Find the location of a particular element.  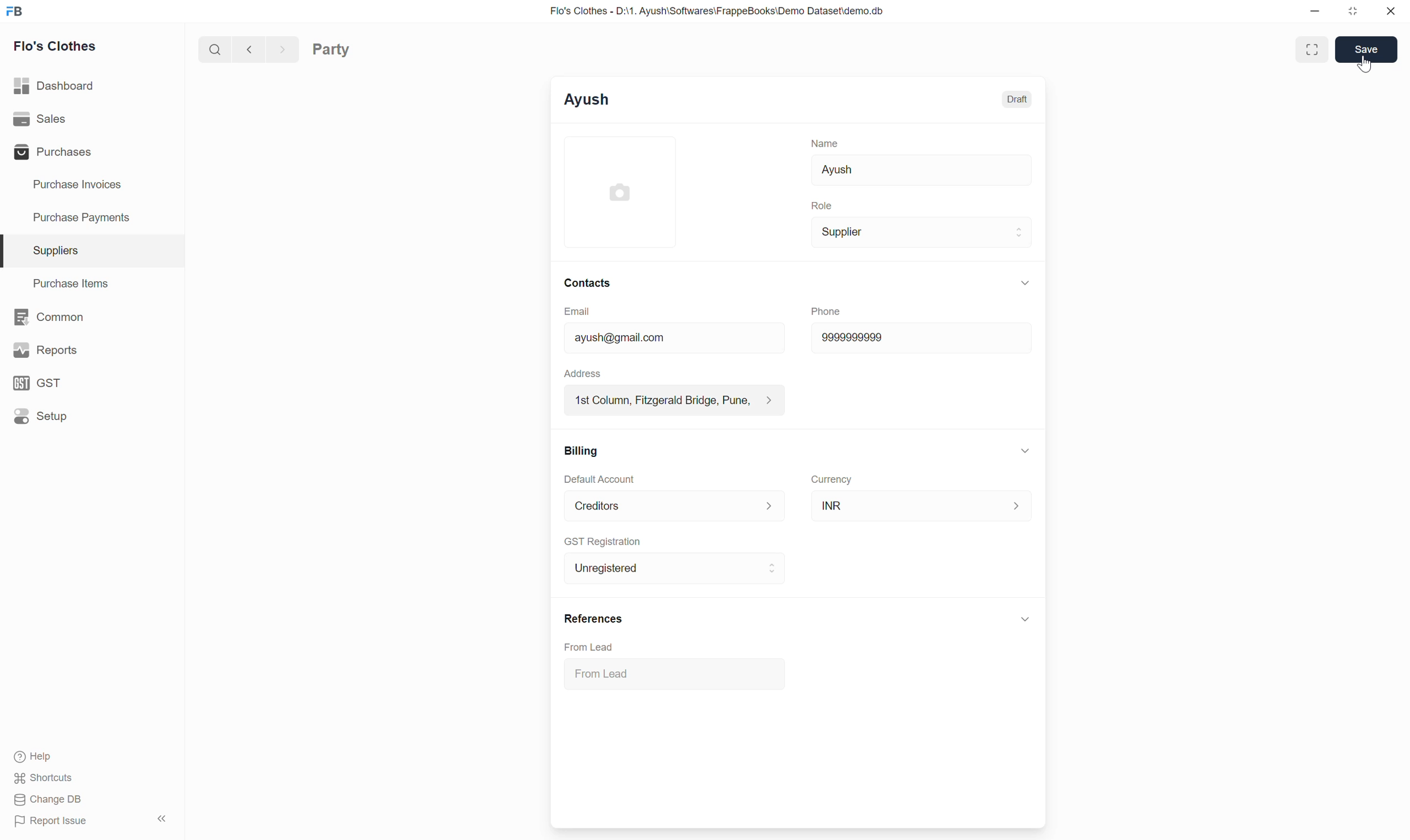

Unregistered is located at coordinates (675, 568).